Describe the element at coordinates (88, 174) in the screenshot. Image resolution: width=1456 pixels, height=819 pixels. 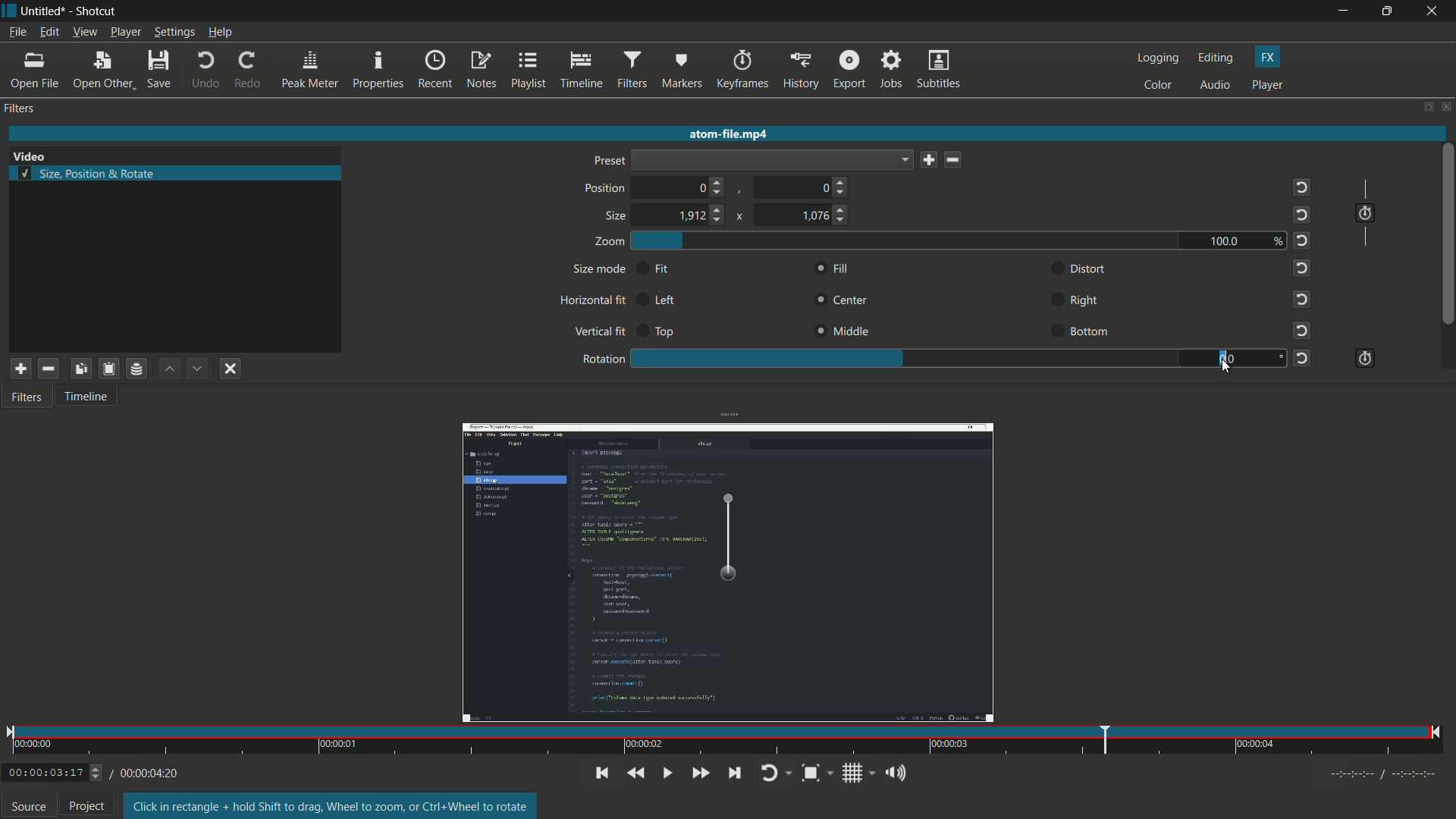
I see `size, position and rotate` at that location.